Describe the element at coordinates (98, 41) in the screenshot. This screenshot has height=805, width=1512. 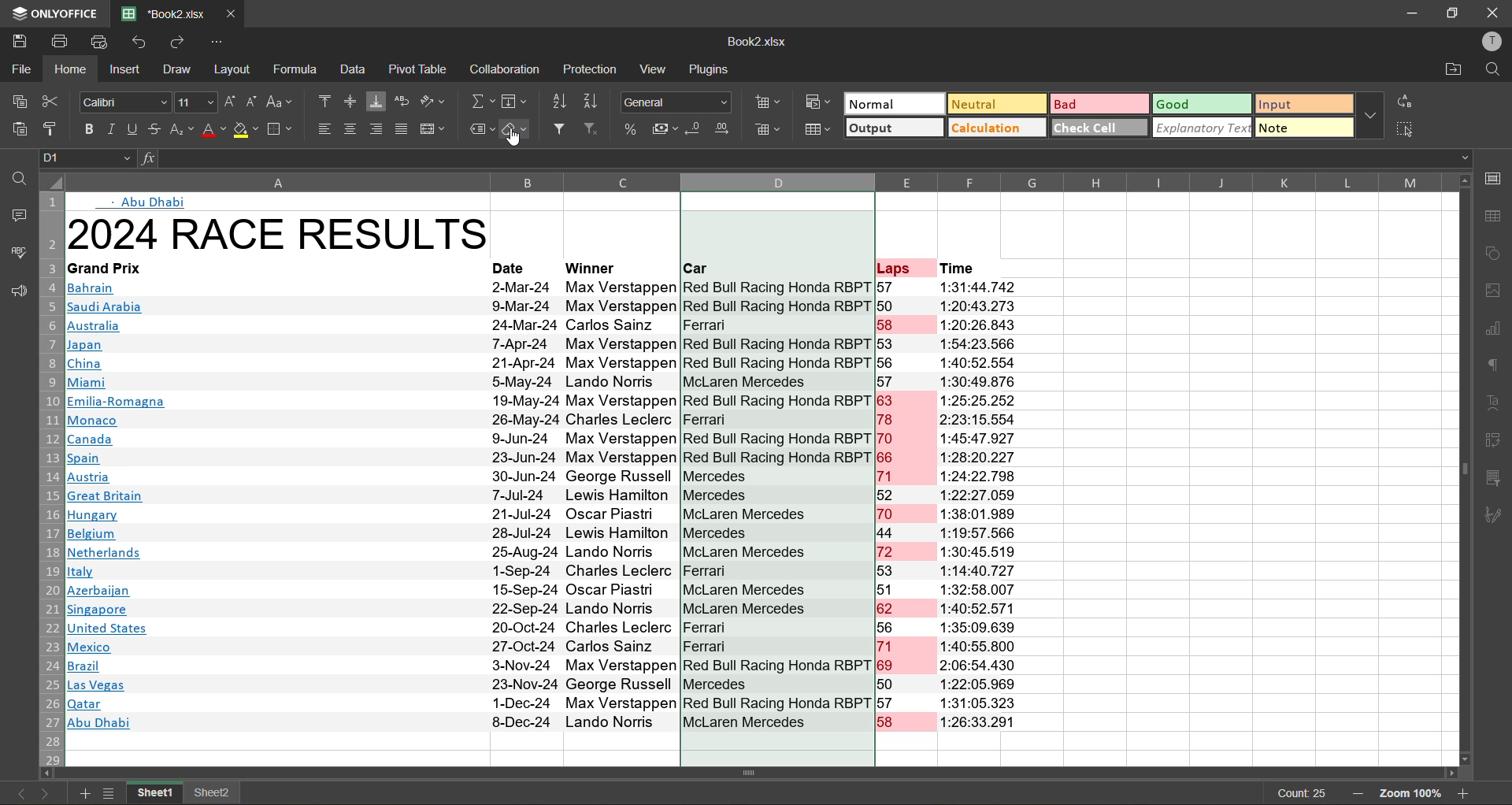
I see `quick print` at that location.